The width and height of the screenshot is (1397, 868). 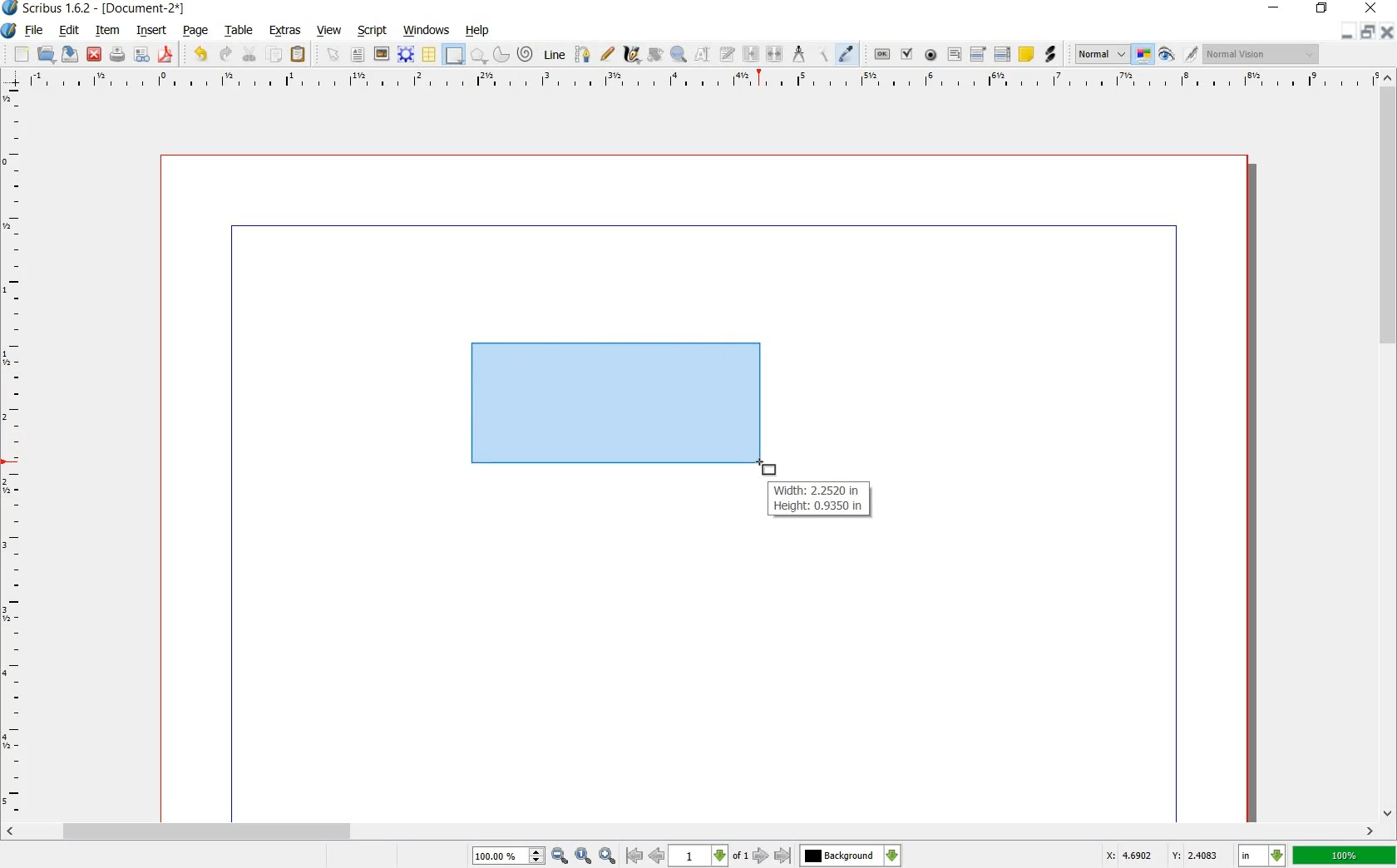 What do you see at coordinates (931, 55) in the screenshot?
I see `PDF RADIO BUTTON` at bounding box center [931, 55].